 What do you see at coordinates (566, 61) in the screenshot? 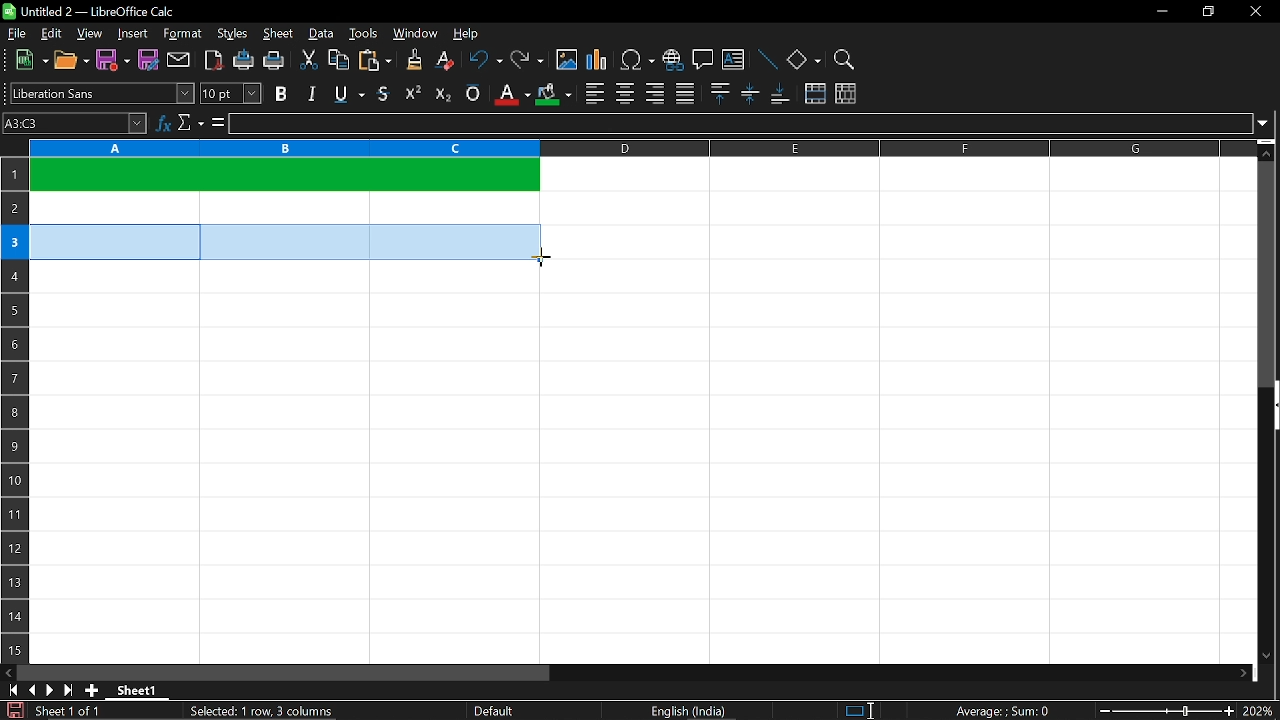
I see `insert image` at bounding box center [566, 61].